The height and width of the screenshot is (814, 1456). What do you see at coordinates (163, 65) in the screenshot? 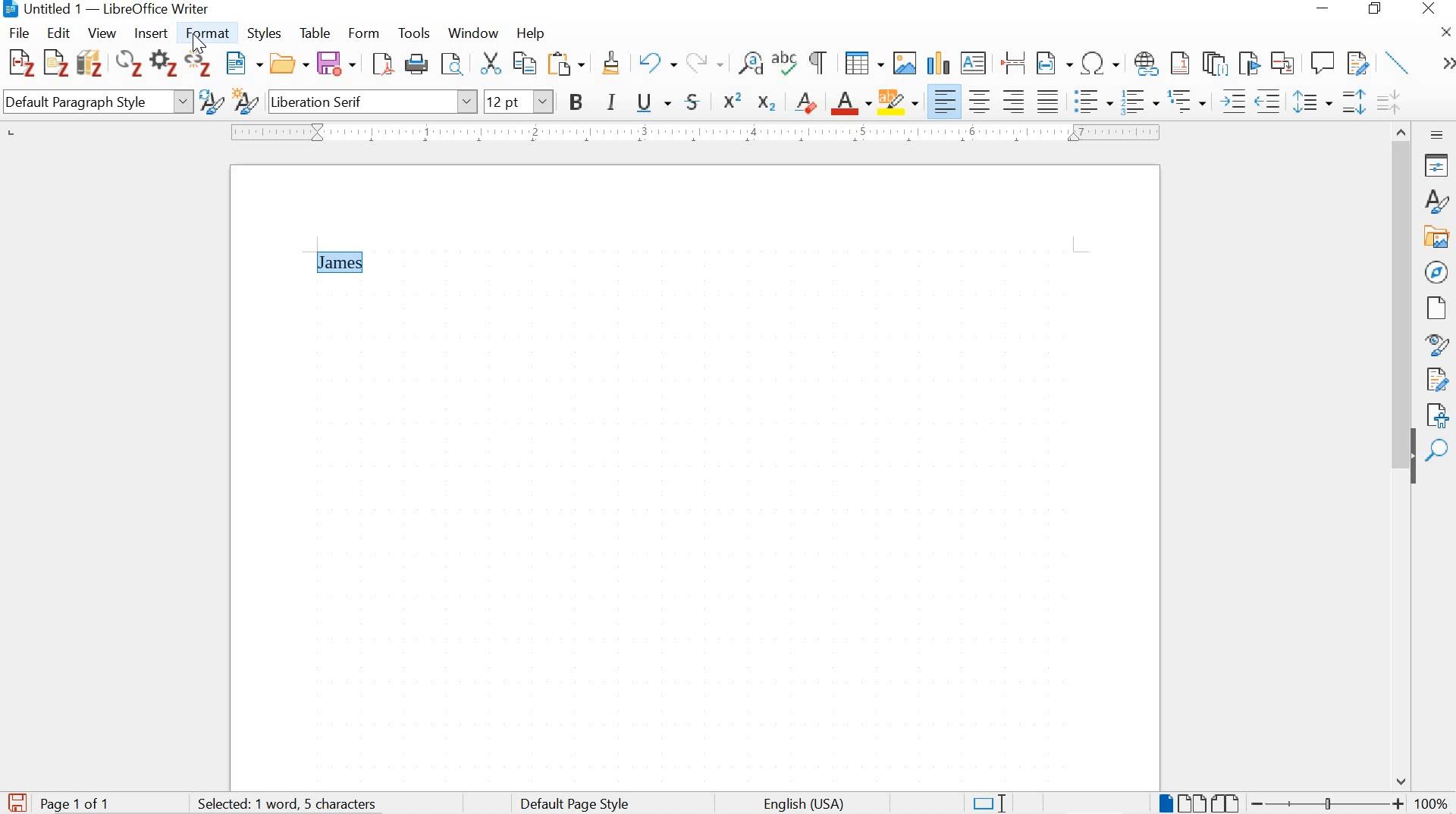
I see `set document preferences` at bounding box center [163, 65].